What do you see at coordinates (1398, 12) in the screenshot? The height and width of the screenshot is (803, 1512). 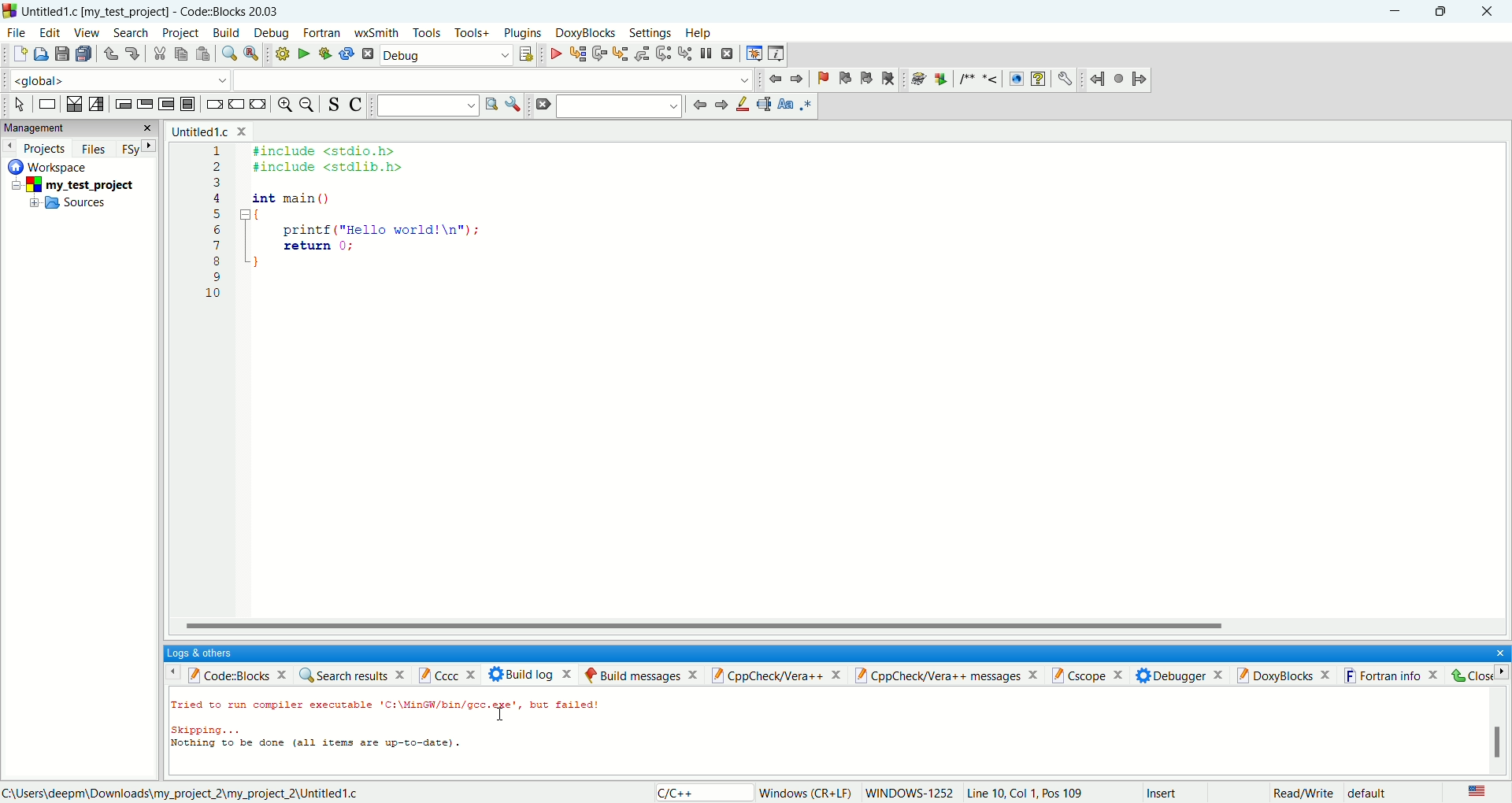 I see `minimize` at bounding box center [1398, 12].